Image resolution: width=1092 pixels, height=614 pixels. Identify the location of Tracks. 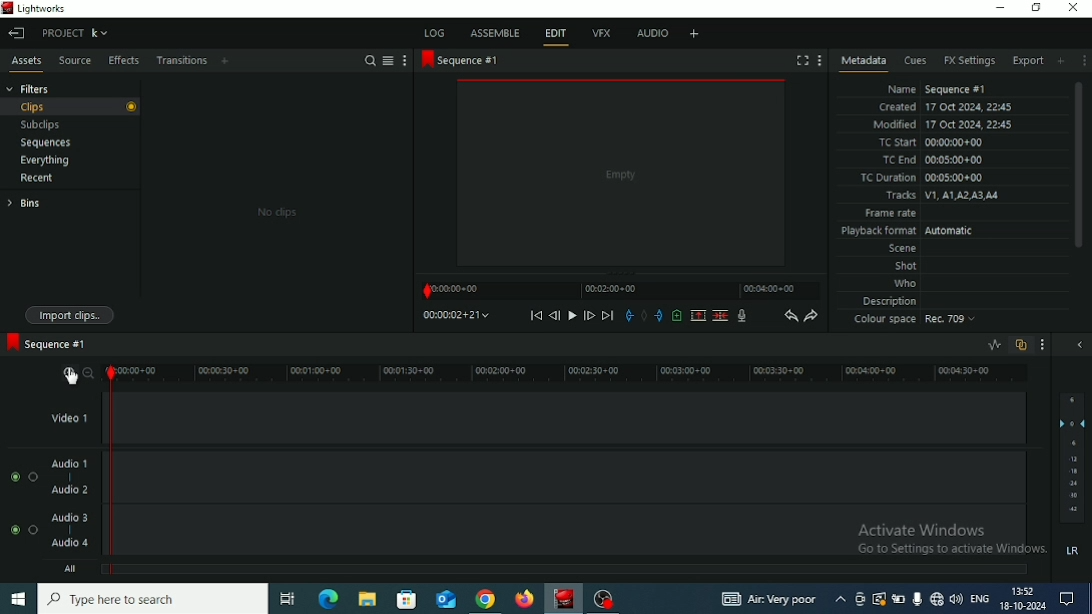
(941, 196).